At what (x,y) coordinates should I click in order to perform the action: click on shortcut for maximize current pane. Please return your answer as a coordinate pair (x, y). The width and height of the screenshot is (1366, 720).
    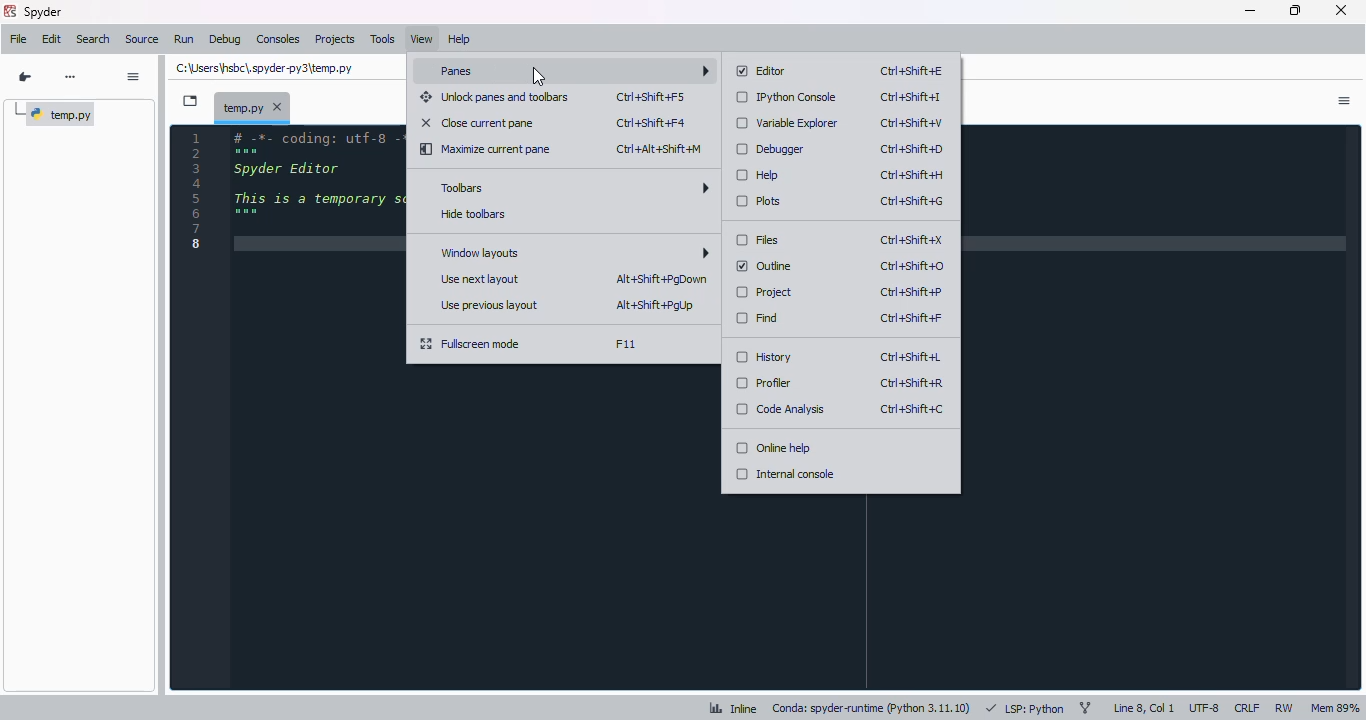
    Looking at the image, I should click on (660, 149).